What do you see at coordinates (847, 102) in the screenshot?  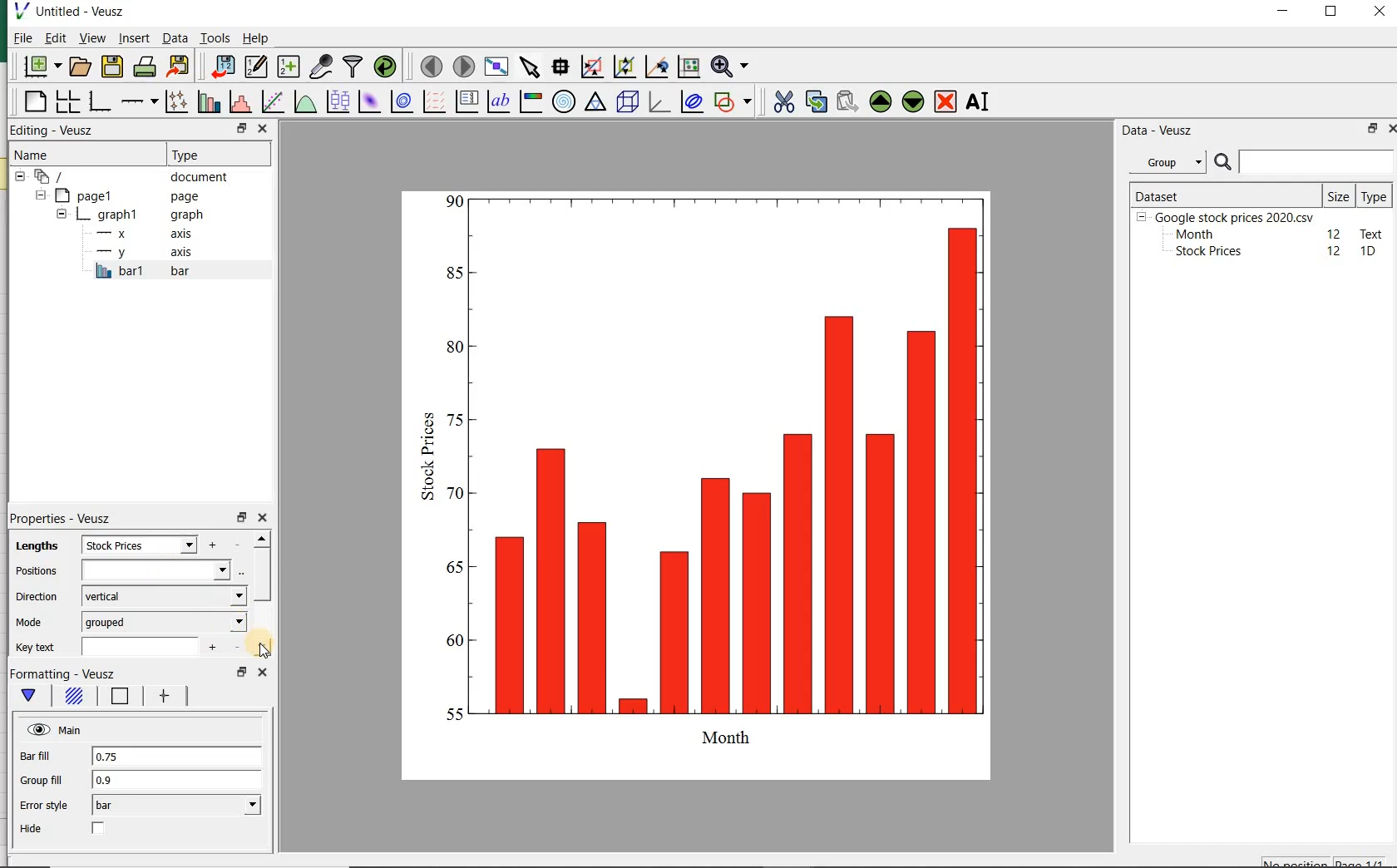 I see `paste widget from the clipboard` at bounding box center [847, 102].